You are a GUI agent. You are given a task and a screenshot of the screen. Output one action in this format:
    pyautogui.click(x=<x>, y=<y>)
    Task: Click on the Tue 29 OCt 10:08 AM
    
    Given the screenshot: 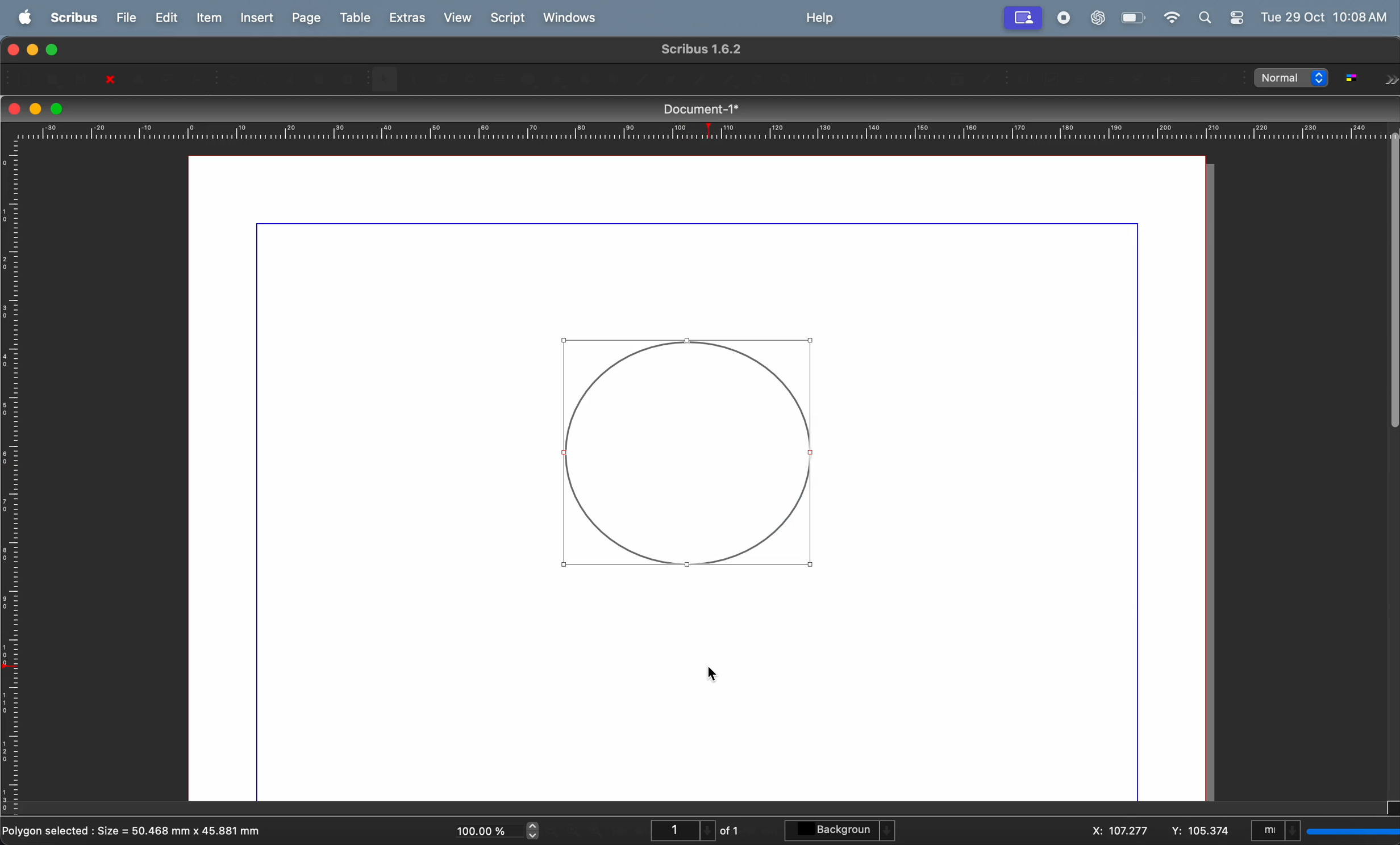 What is the action you would take?
    pyautogui.click(x=1327, y=16)
    